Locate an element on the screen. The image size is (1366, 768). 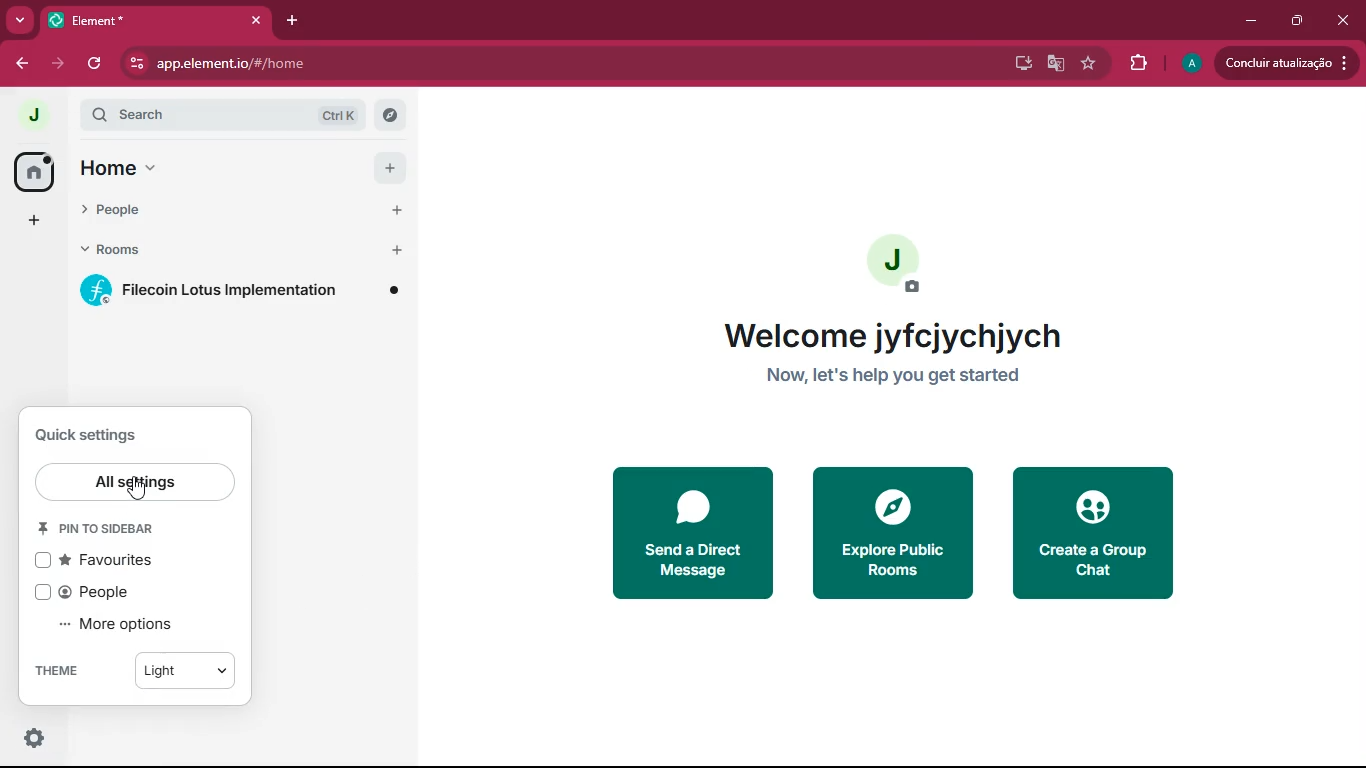
google translate is located at coordinates (1054, 64).